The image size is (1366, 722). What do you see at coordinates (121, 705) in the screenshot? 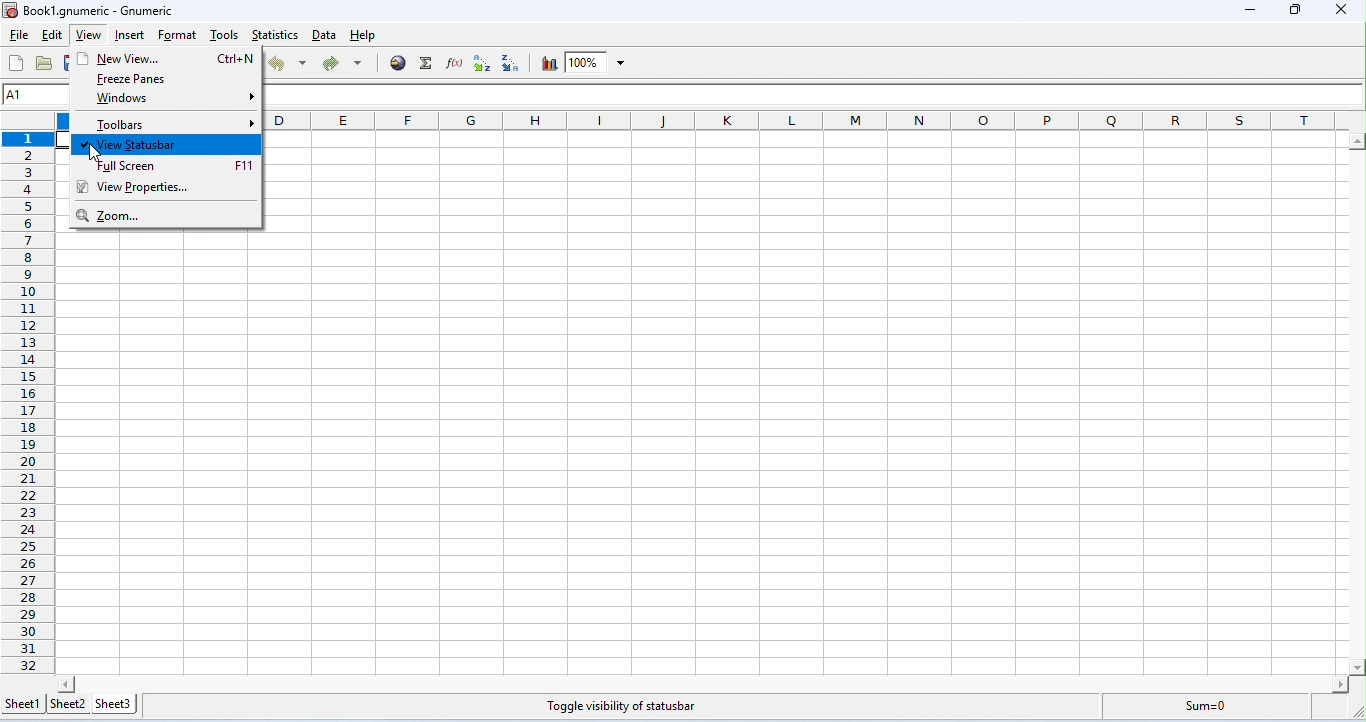
I see `sheet3` at bounding box center [121, 705].